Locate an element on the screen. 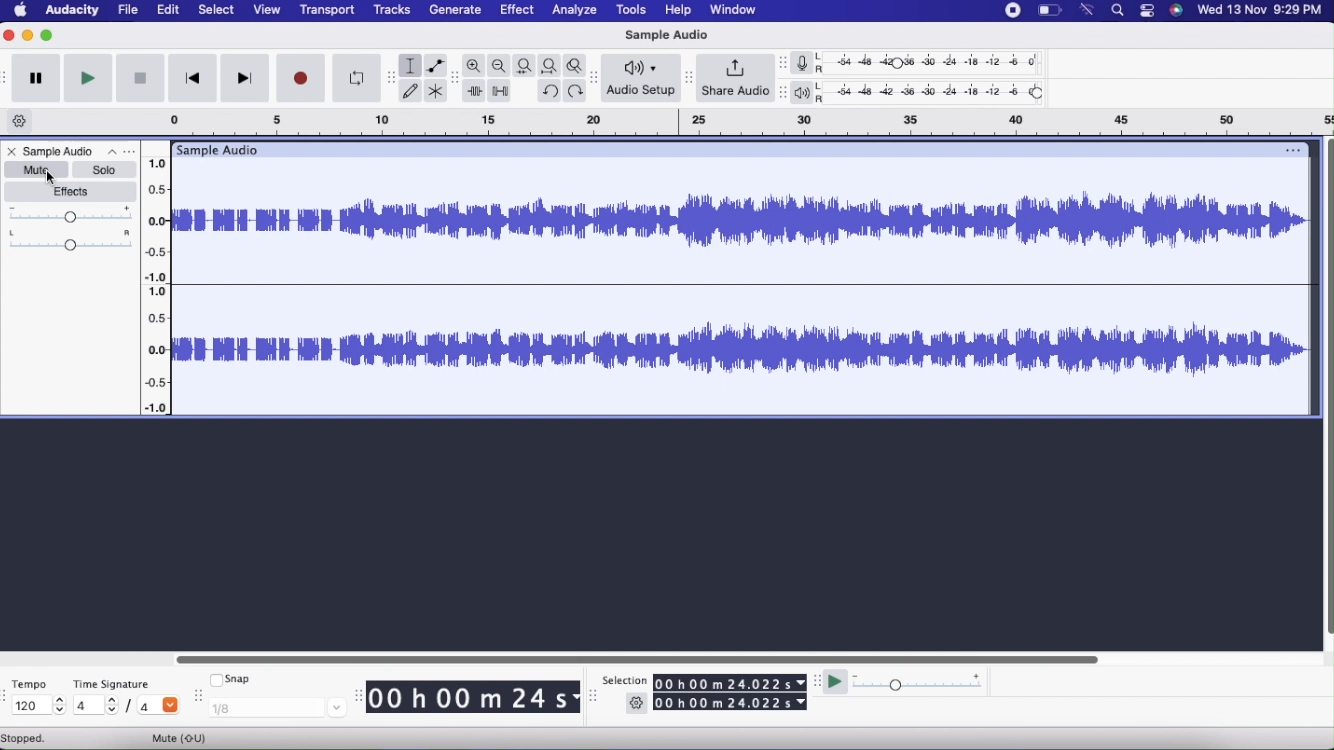 This screenshot has width=1334, height=750. Redo is located at coordinates (576, 91).